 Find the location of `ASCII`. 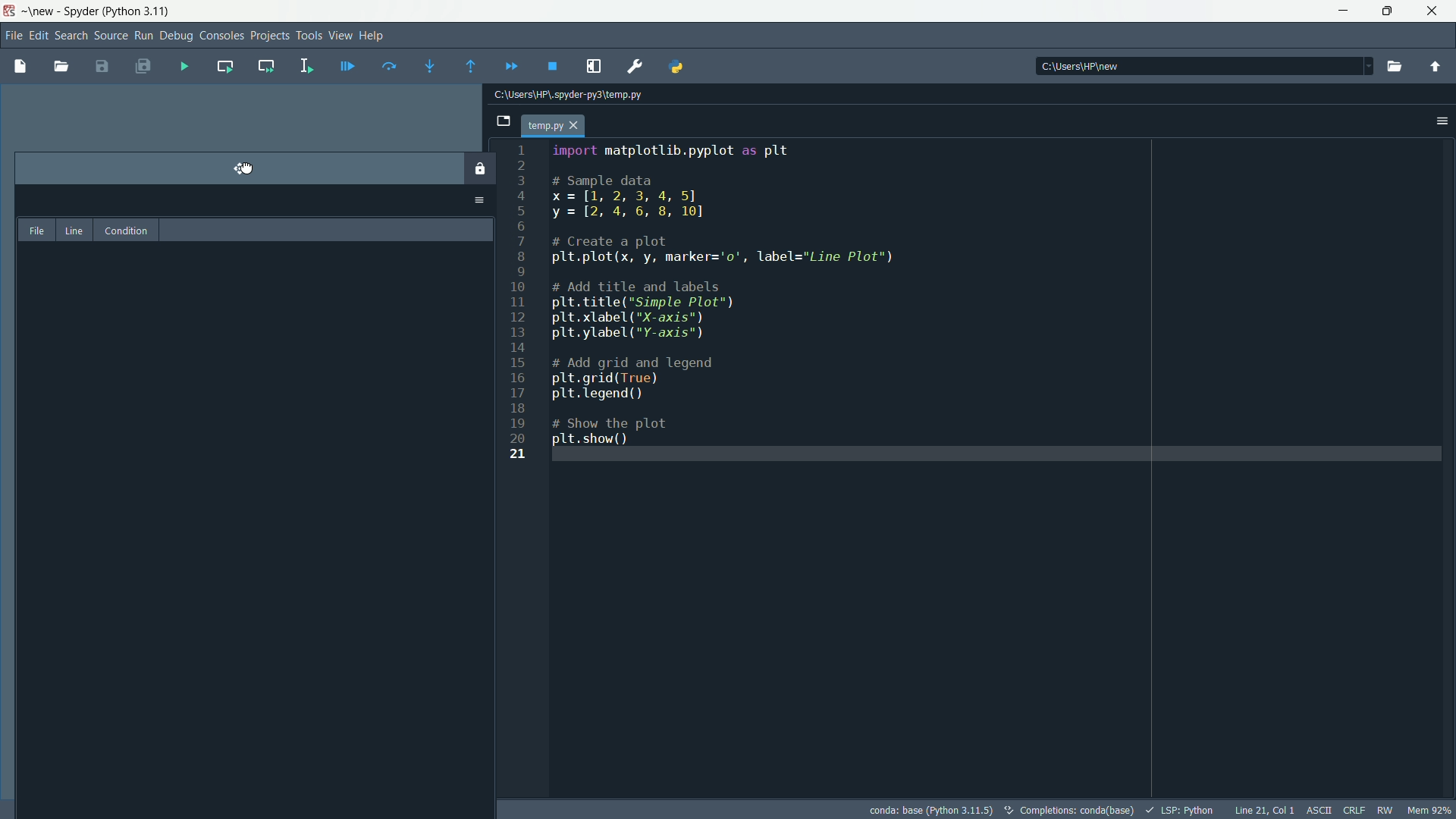

ASCII is located at coordinates (1317, 811).